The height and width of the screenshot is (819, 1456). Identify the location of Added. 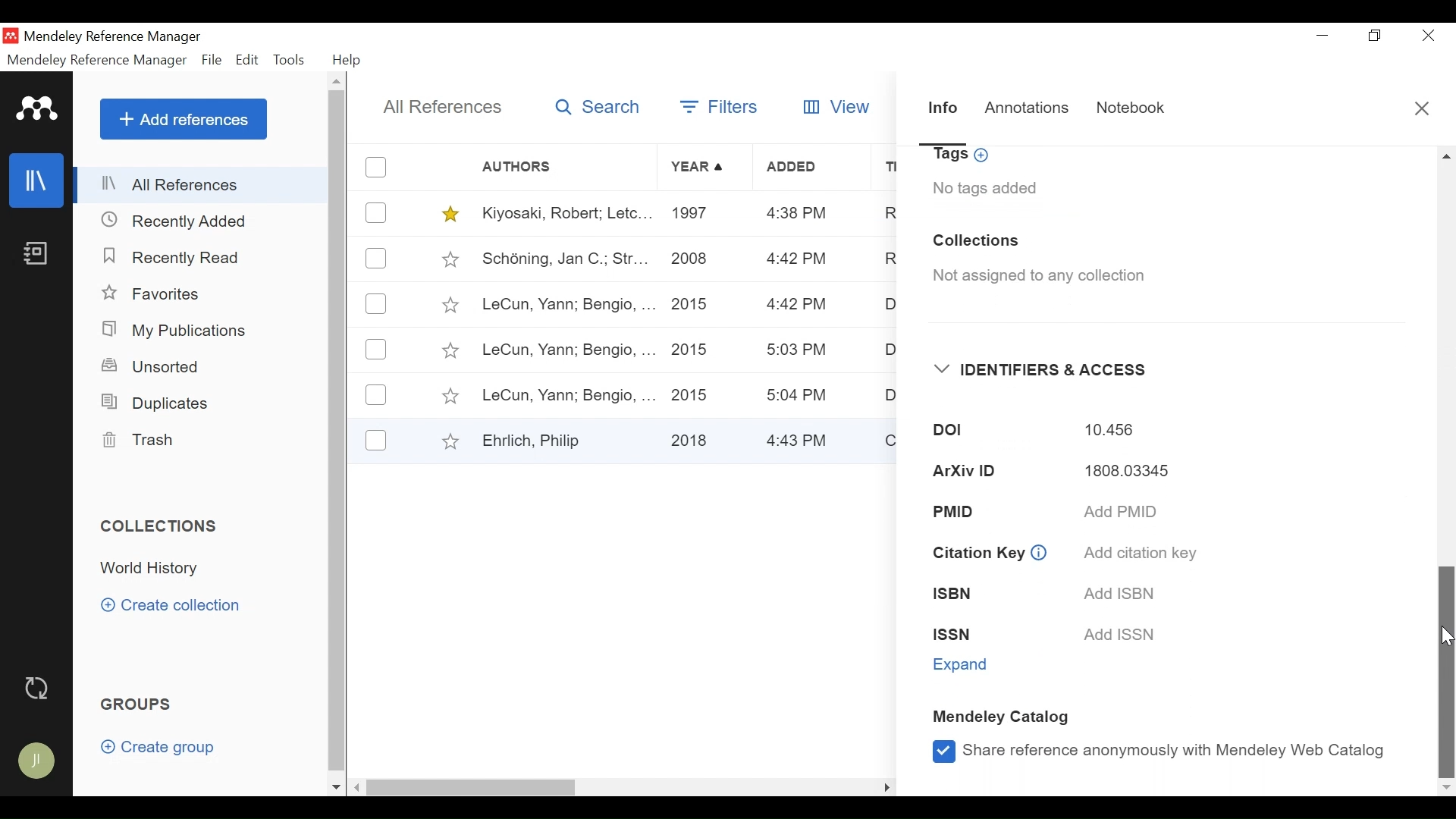
(812, 168).